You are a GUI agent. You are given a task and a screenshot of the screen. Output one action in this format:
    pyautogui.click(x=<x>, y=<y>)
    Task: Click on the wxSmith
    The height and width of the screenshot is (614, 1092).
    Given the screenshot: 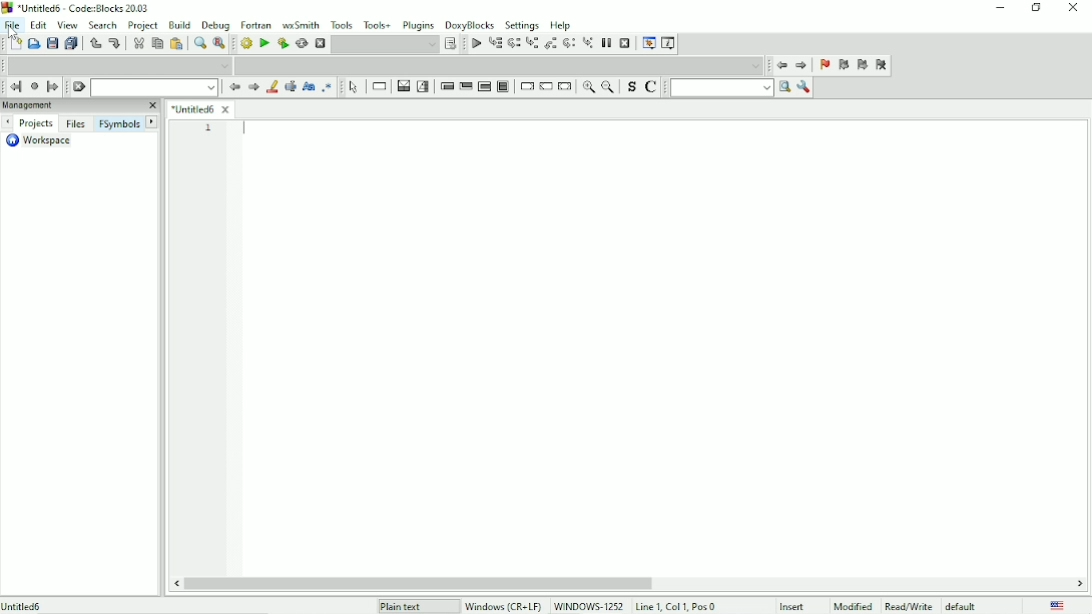 What is the action you would take?
    pyautogui.click(x=299, y=24)
    